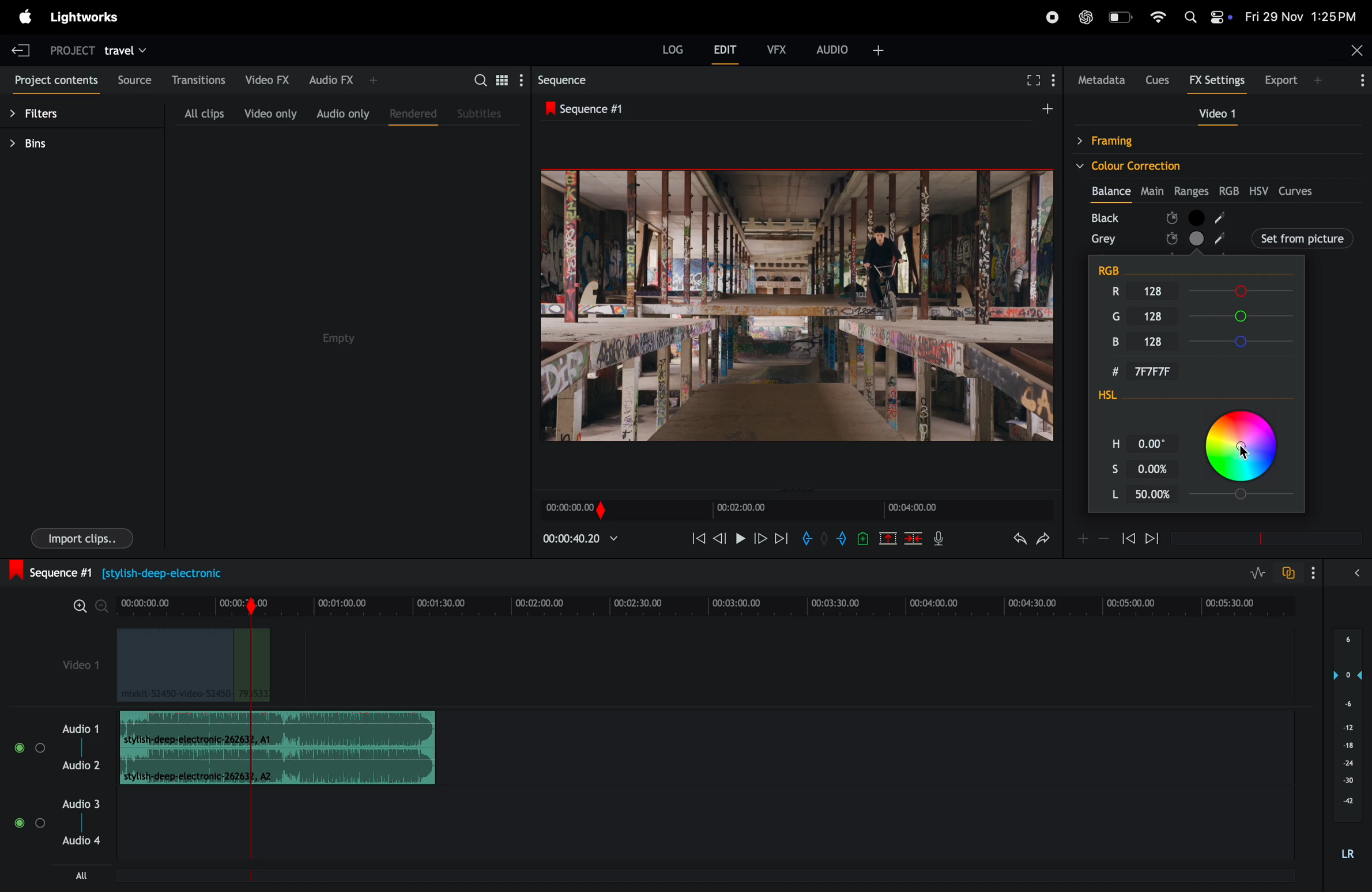  What do you see at coordinates (914, 540) in the screenshot?
I see `delete` at bounding box center [914, 540].